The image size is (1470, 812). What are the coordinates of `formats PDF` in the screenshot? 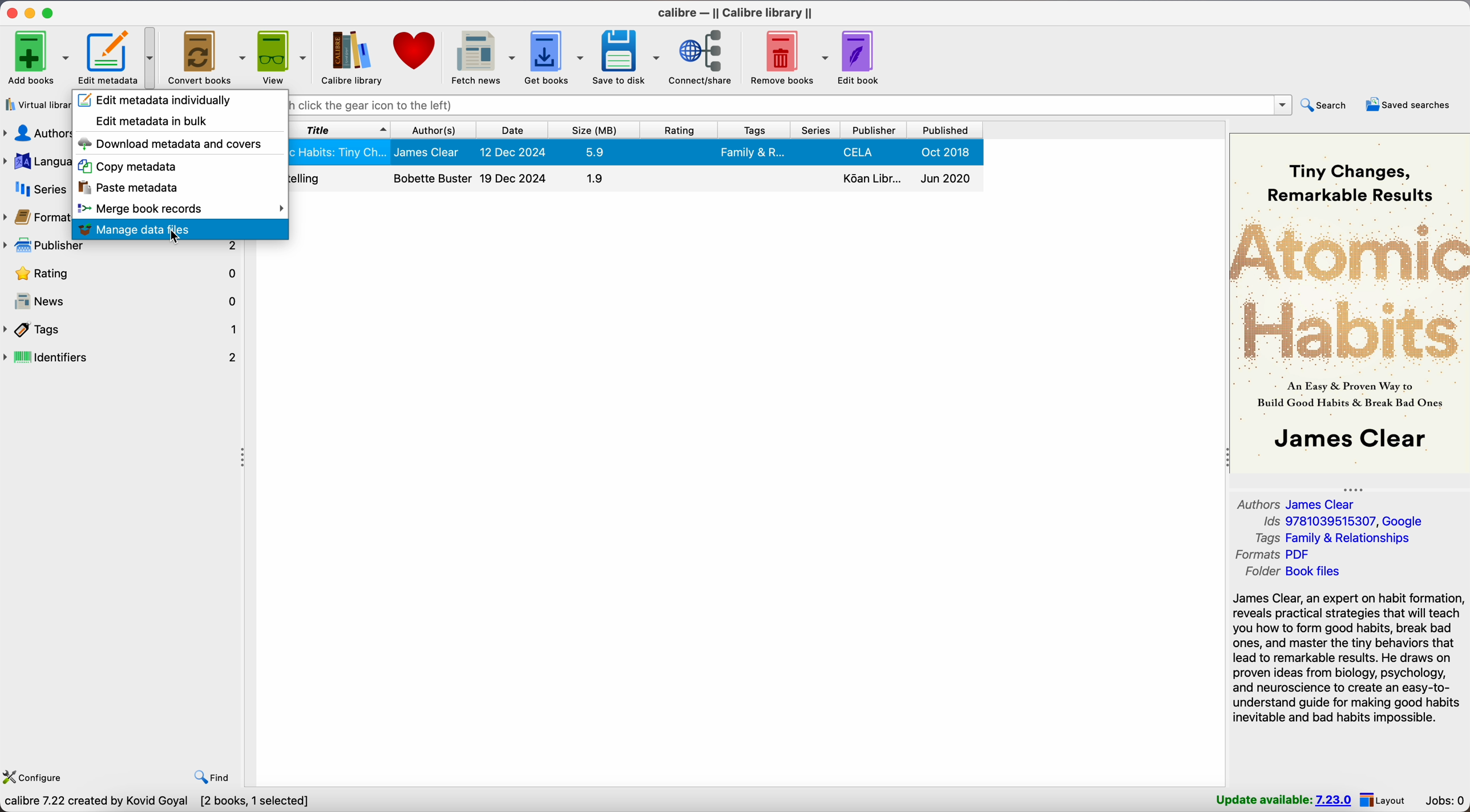 It's located at (1274, 555).